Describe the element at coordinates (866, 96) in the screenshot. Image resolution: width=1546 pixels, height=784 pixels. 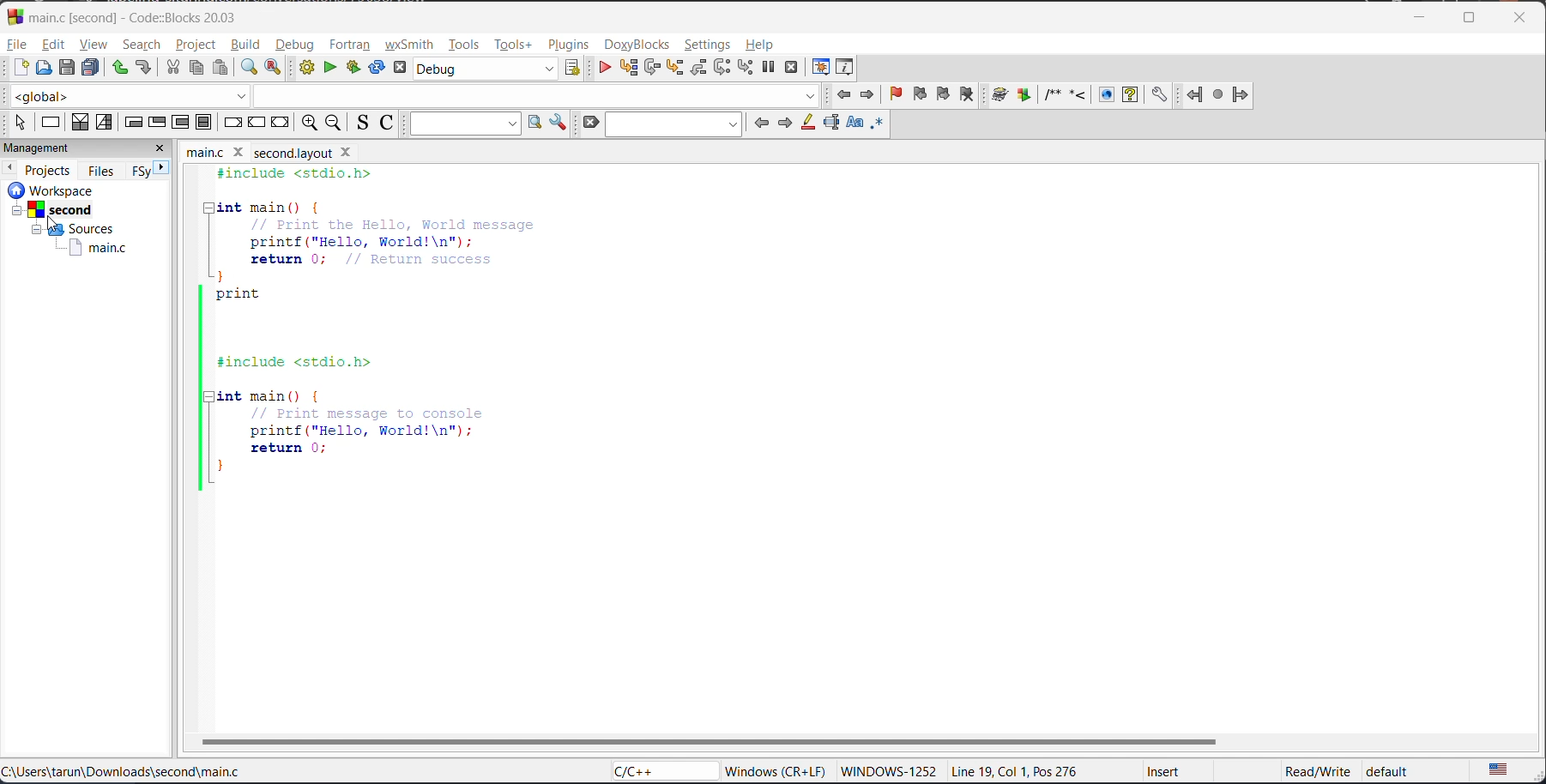
I see `jump forward` at that location.